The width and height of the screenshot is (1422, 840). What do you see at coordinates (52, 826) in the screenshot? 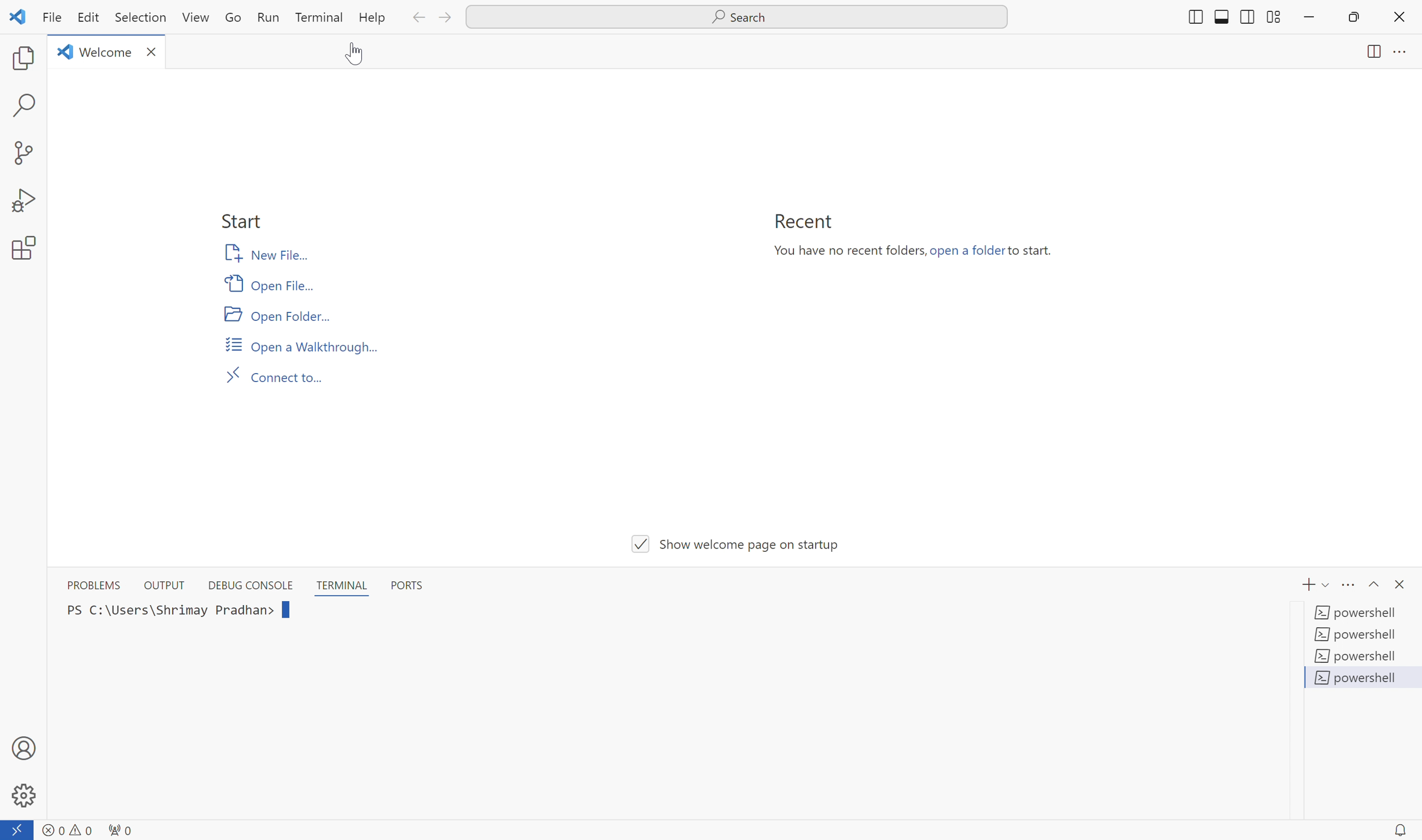
I see `errors` at bounding box center [52, 826].